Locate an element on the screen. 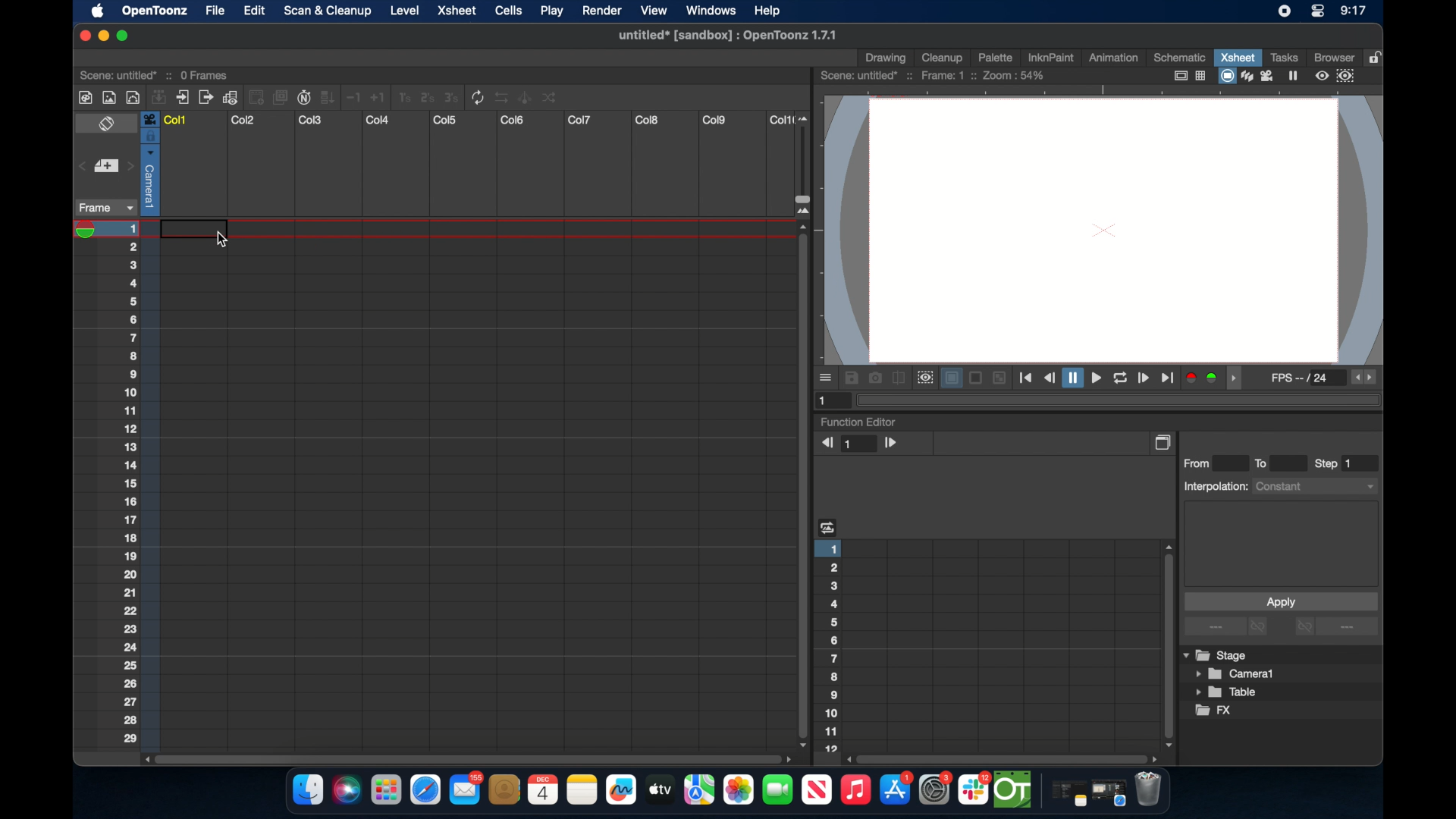  file name is located at coordinates (724, 36).